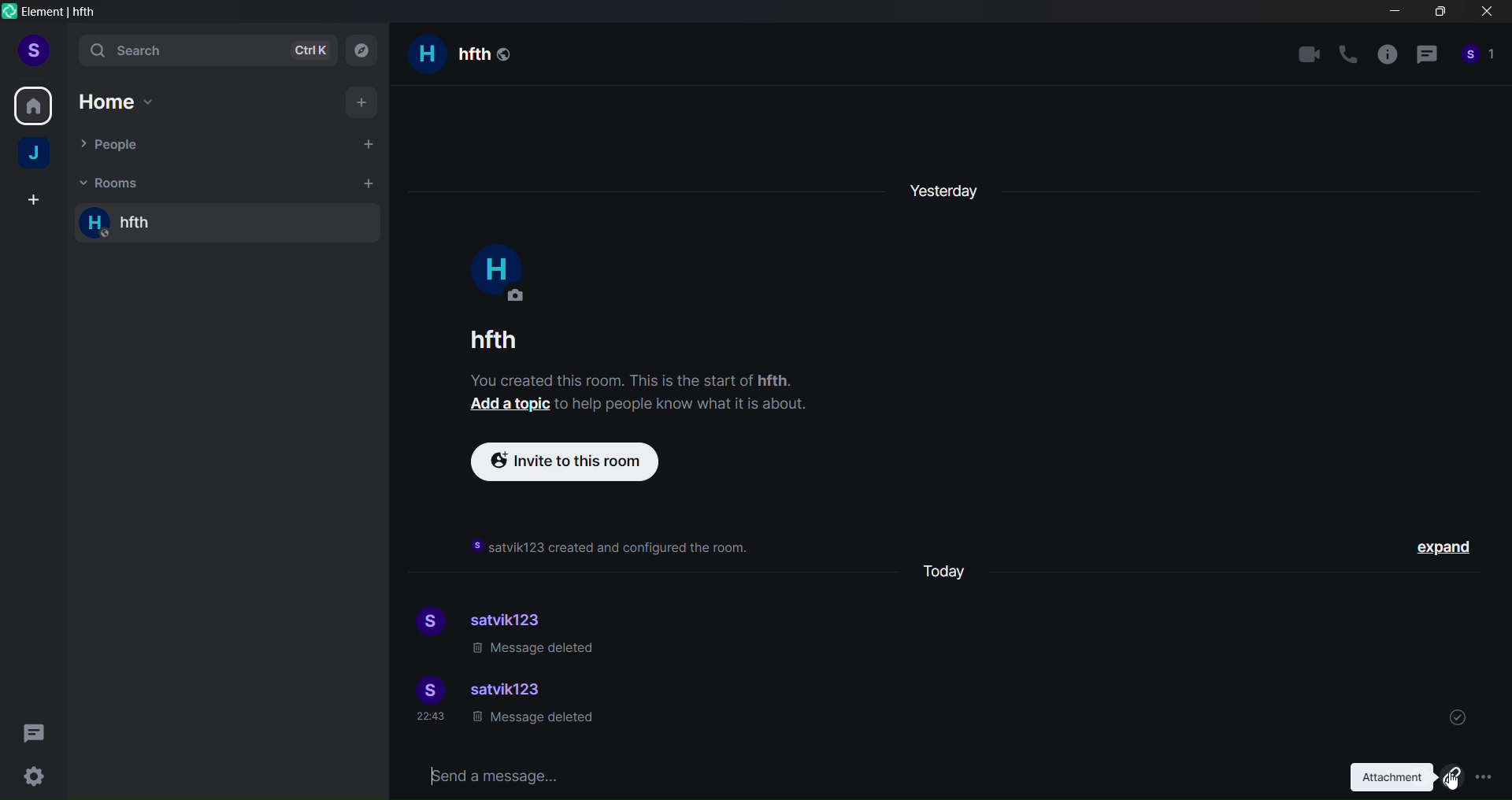 This screenshot has height=800, width=1512. What do you see at coordinates (532, 721) in the screenshot?
I see `message deleted` at bounding box center [532, 721].